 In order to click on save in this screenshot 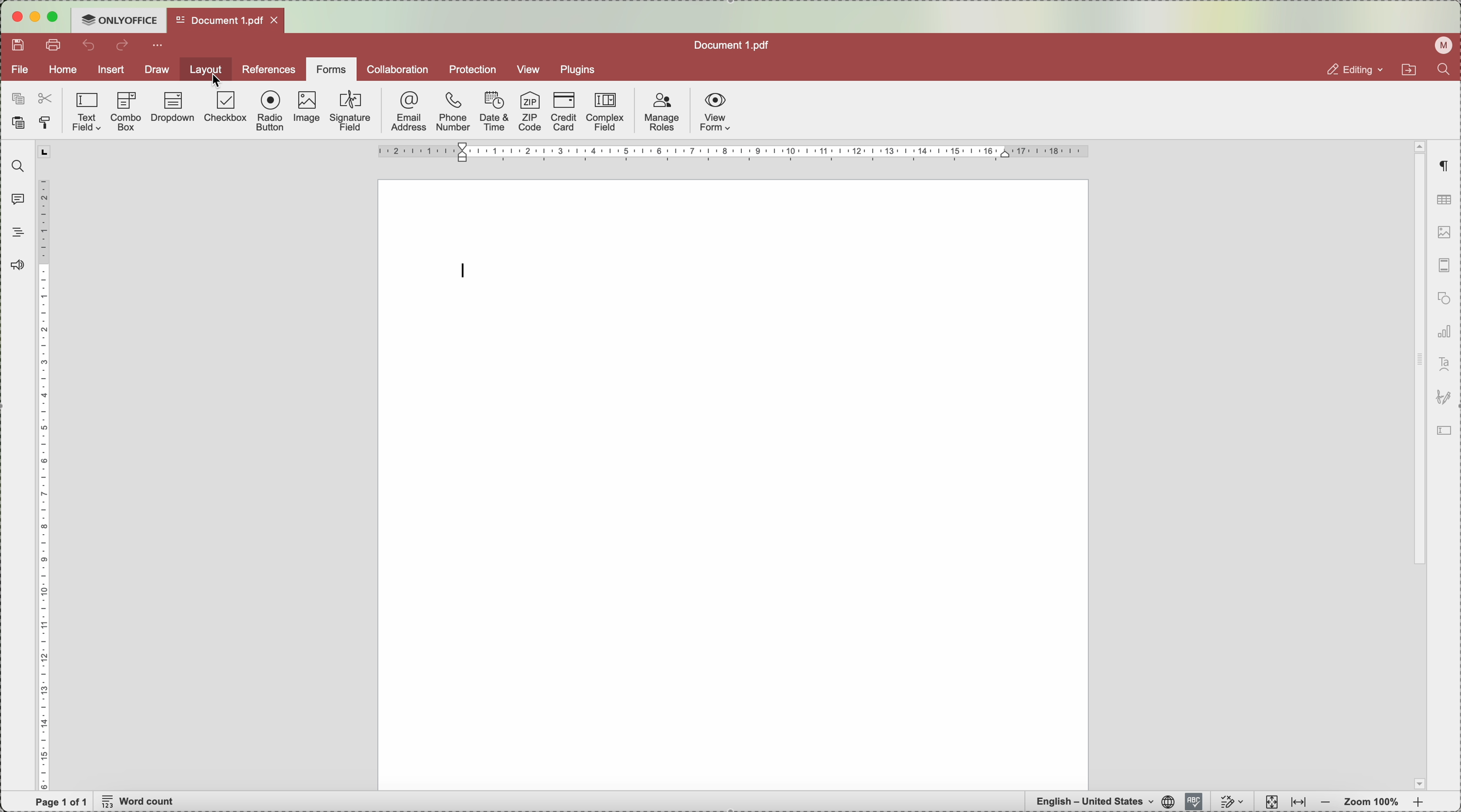, I will do `click(20, 45)`.